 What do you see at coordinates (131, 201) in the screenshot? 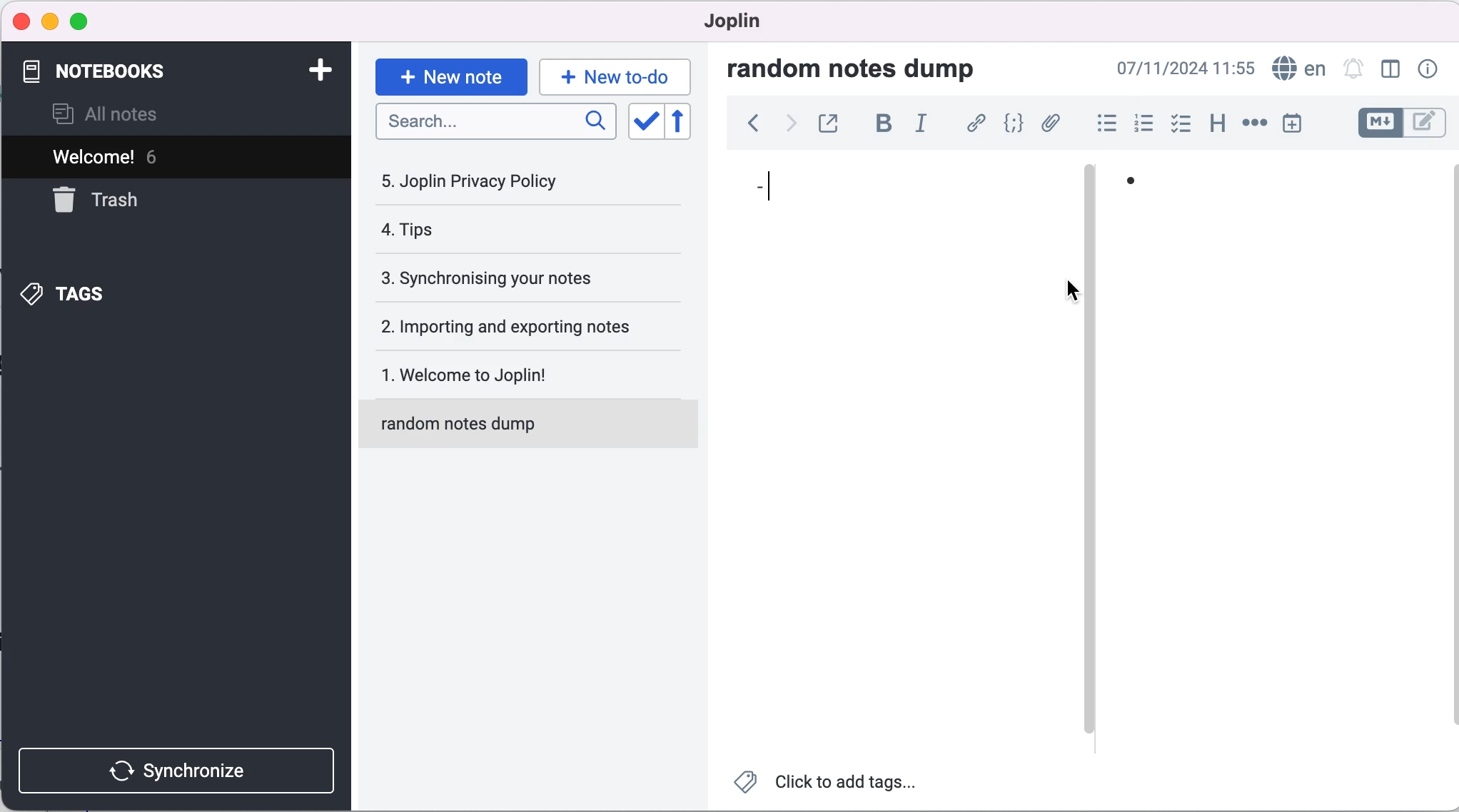
I see `trash` at bounding box center [131, 201].